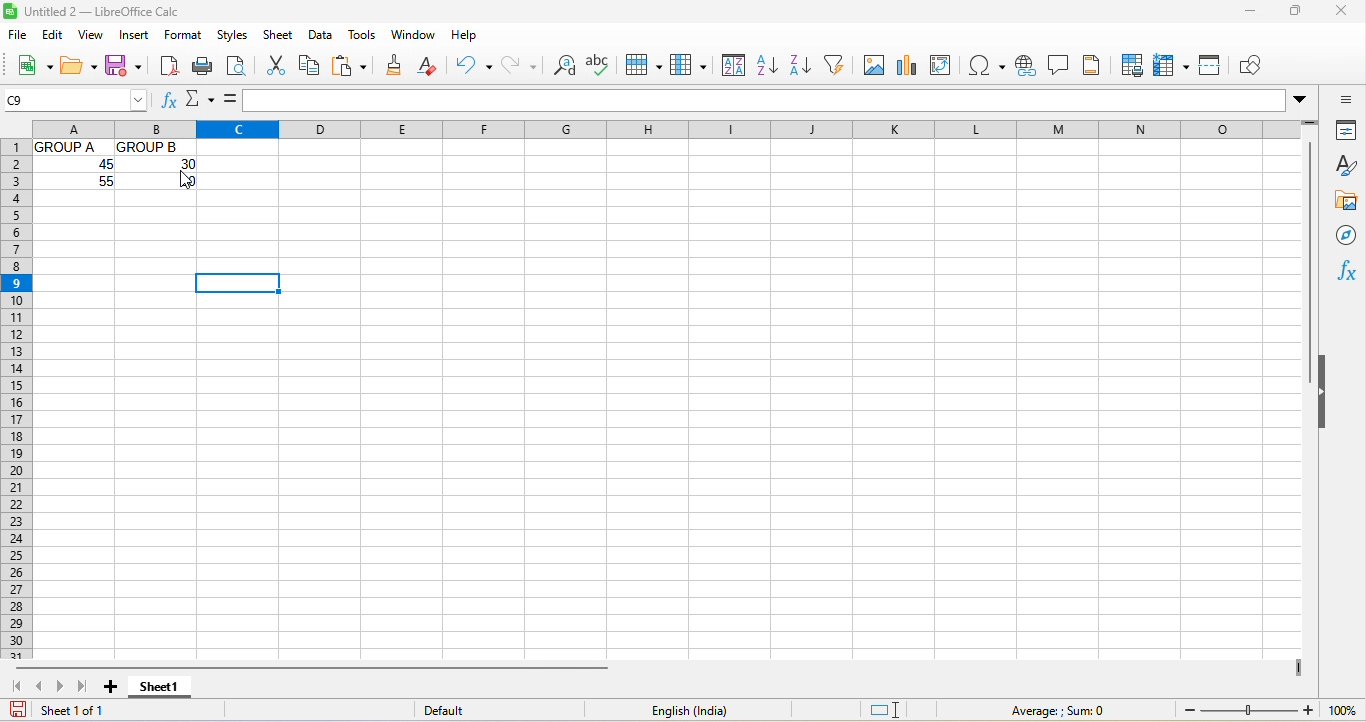 Image resolution: width=1366 pixels, height=722 pixels. I want to click on insert, so click(138, 37).